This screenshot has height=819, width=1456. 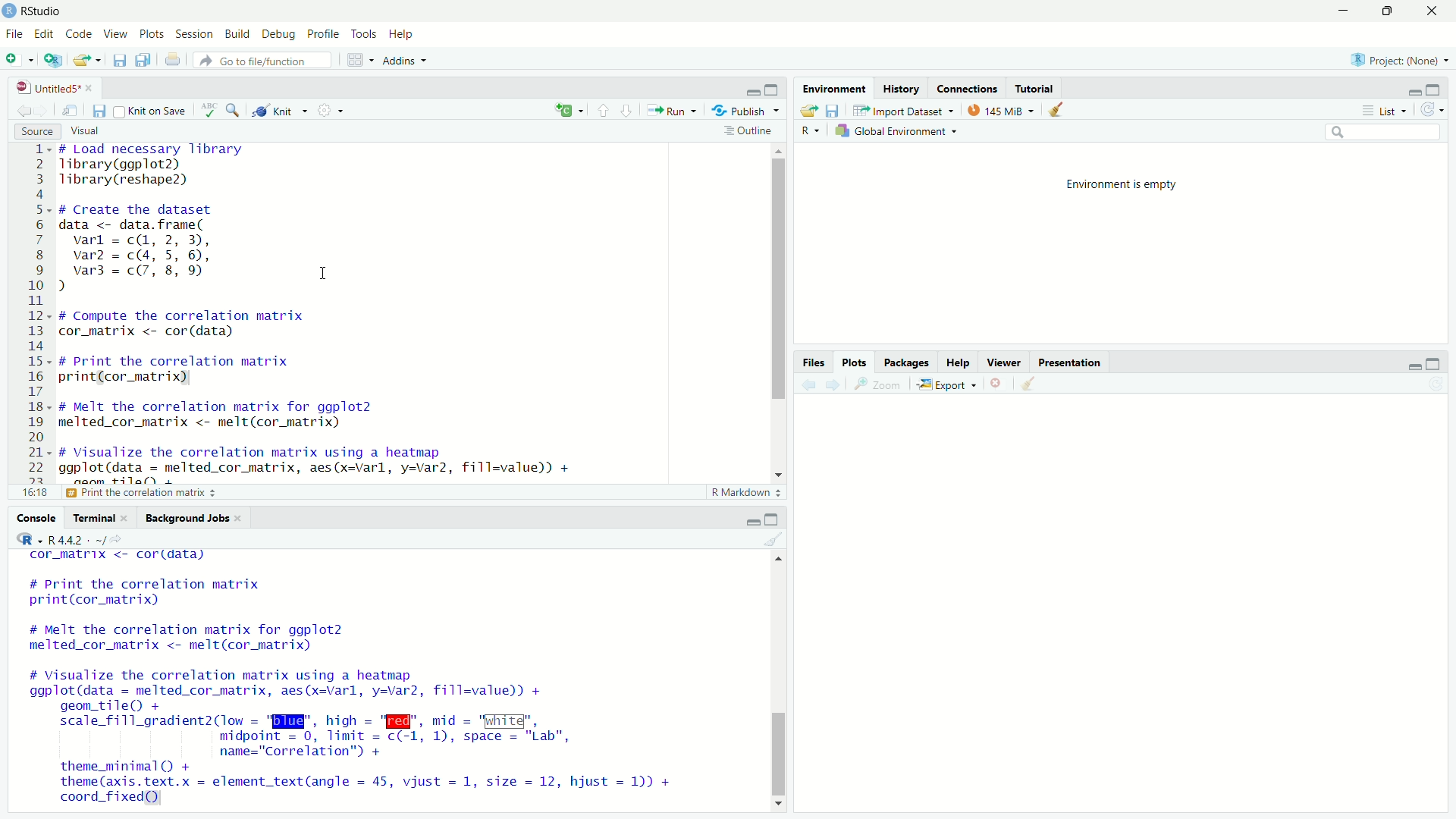 I want to click on knit on save, so click(x=152, y=111).